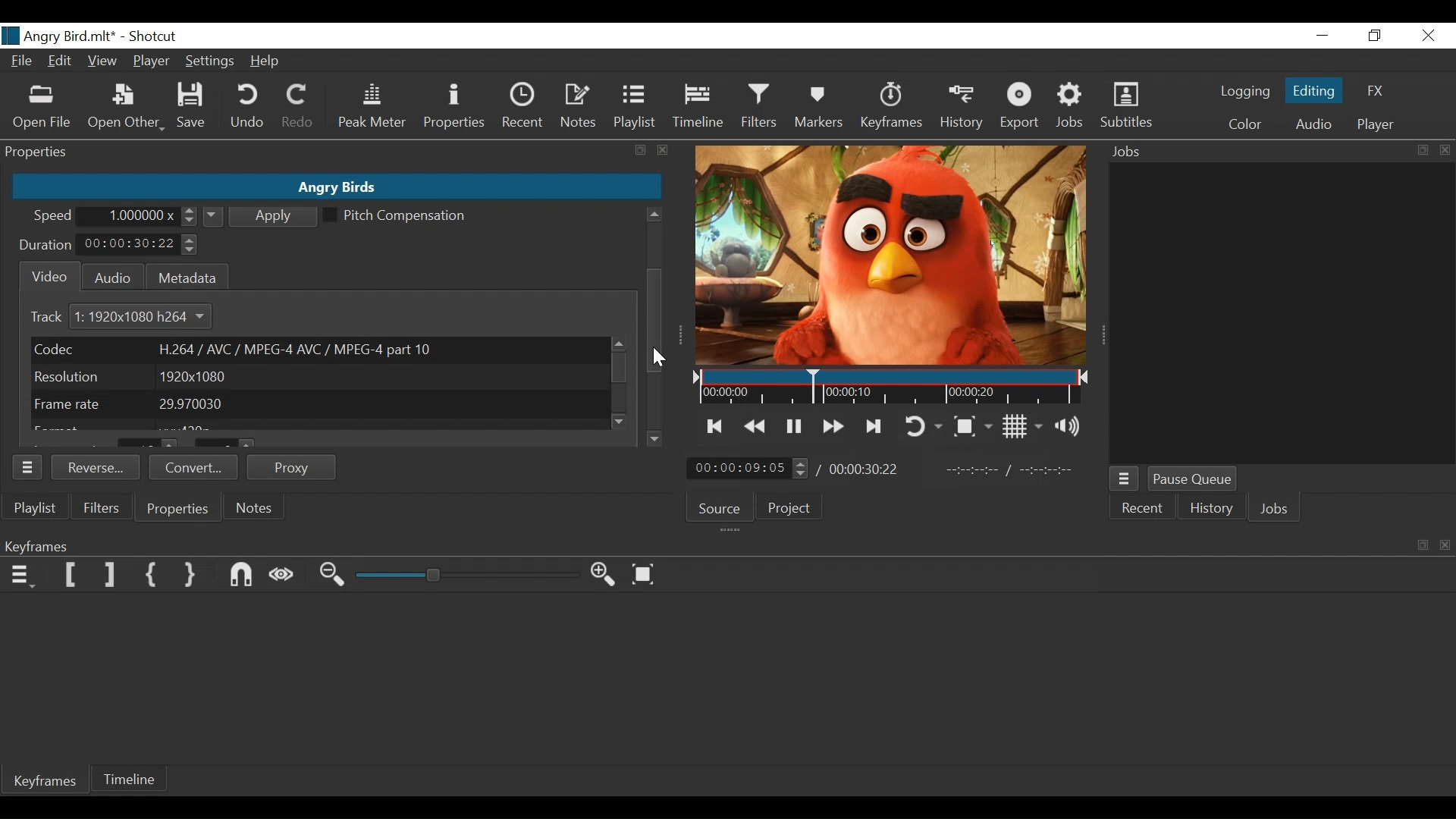 The width and height of the screenshot is (1456, 819). Describe the element at coordinates (46, 246) in the screenshot. I see `Duration` at that location.